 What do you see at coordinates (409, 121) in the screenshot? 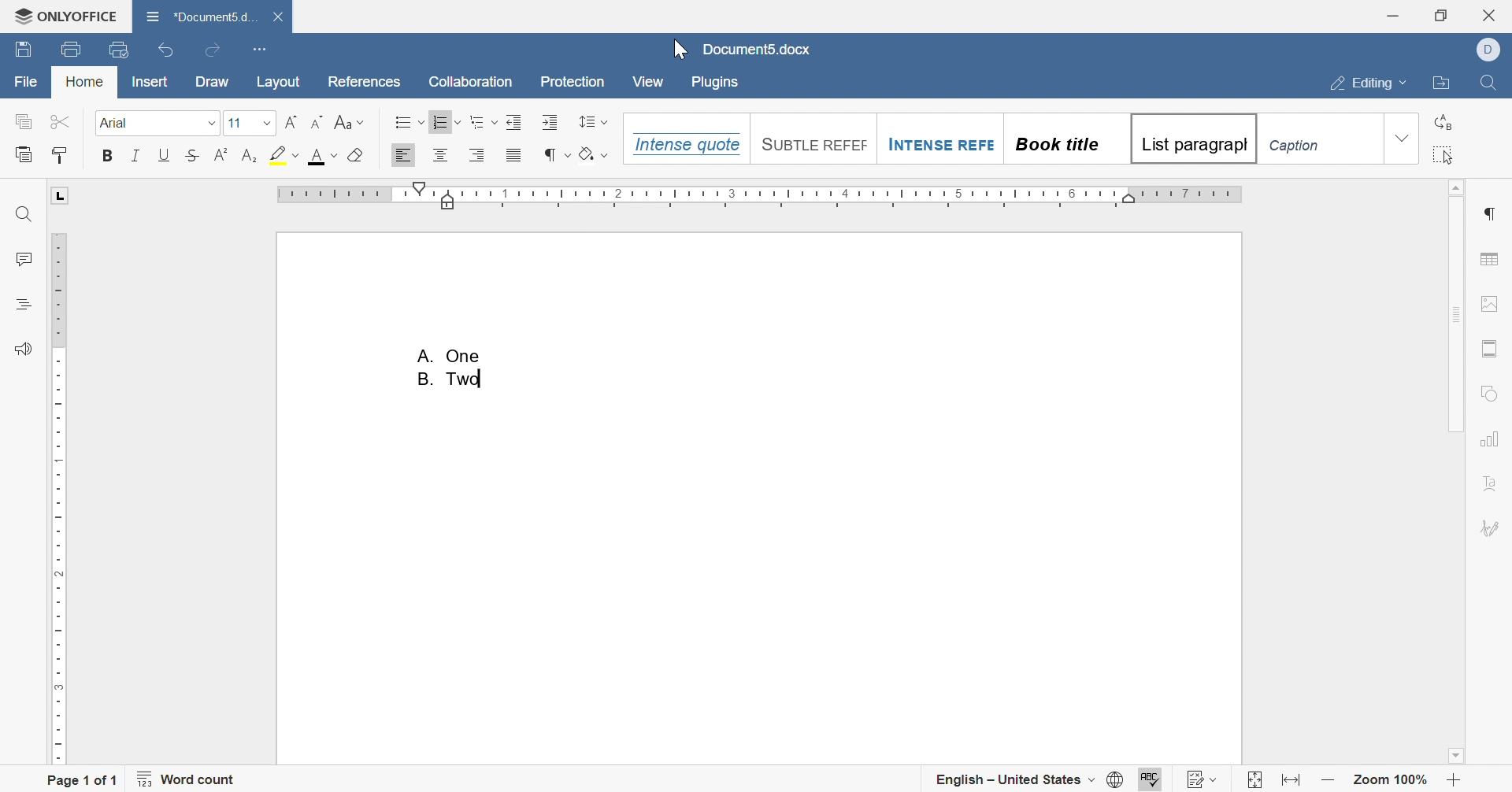
I see `bullets` at bounding box center [409, 121].